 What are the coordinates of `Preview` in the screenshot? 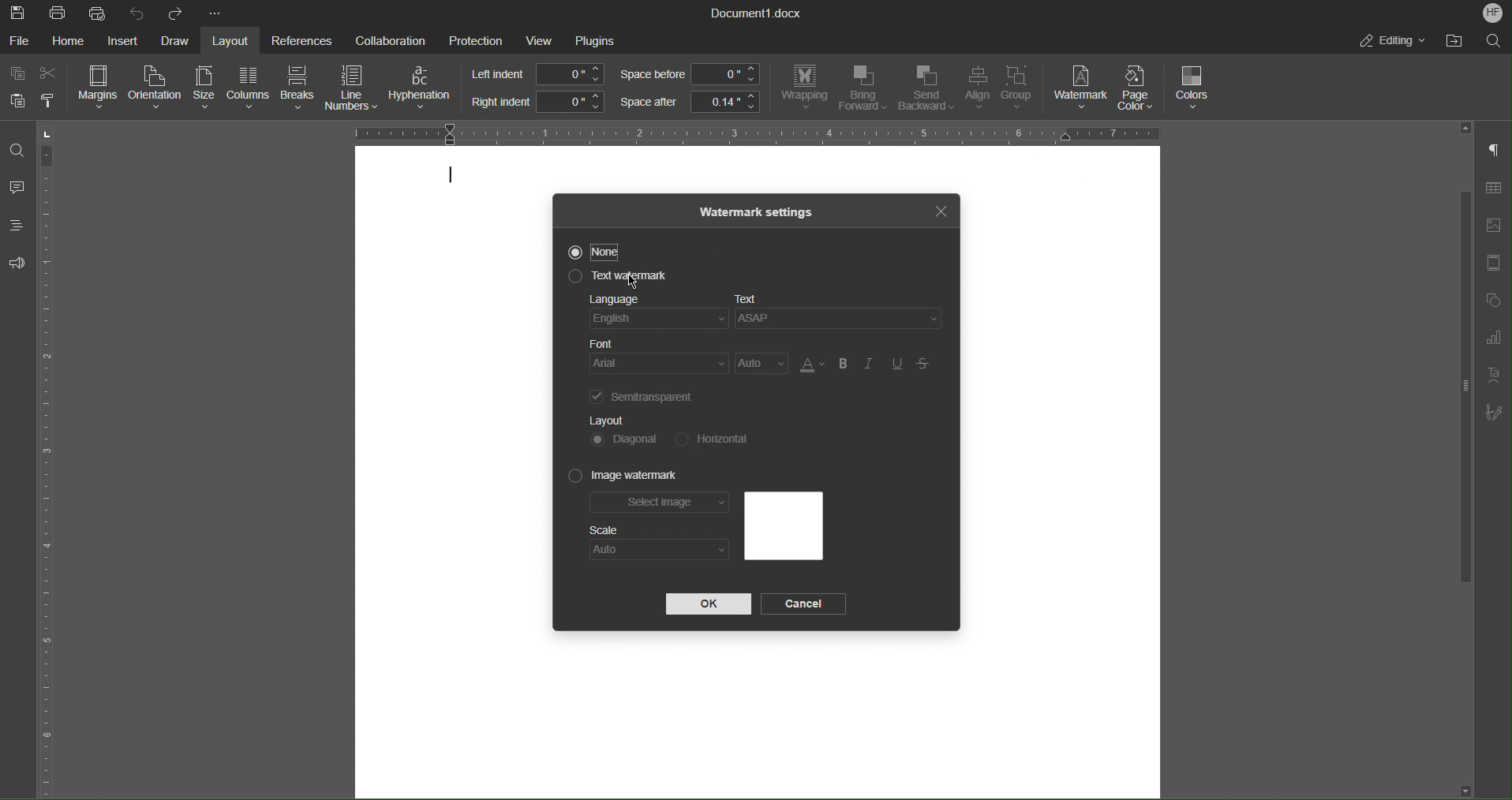 It's located at (783, 526).